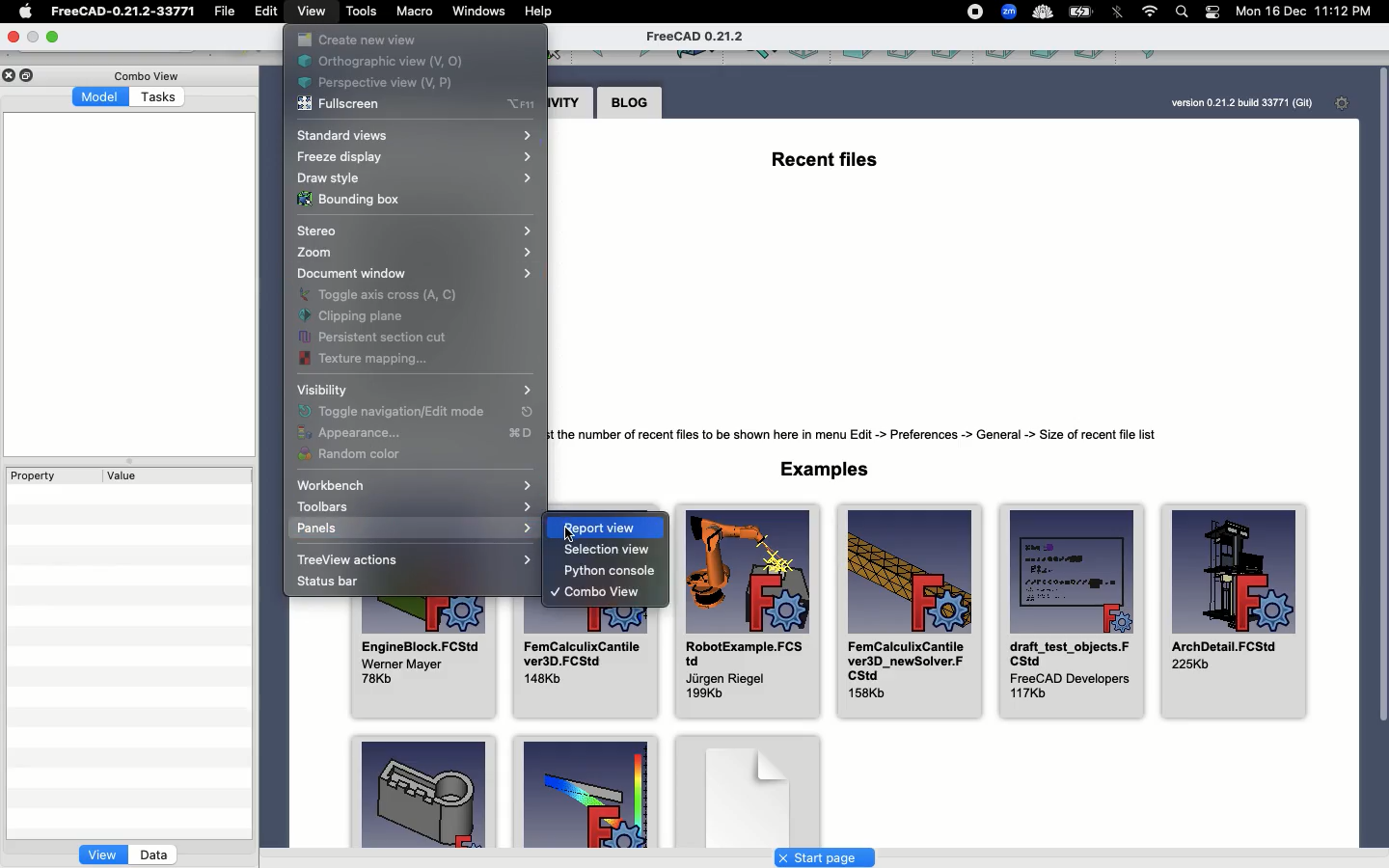 This screenshot has width=1389, height=868. Describe the element at coordinates (1118, 15) in the screenshot. I see `Bluetooth` at that location.